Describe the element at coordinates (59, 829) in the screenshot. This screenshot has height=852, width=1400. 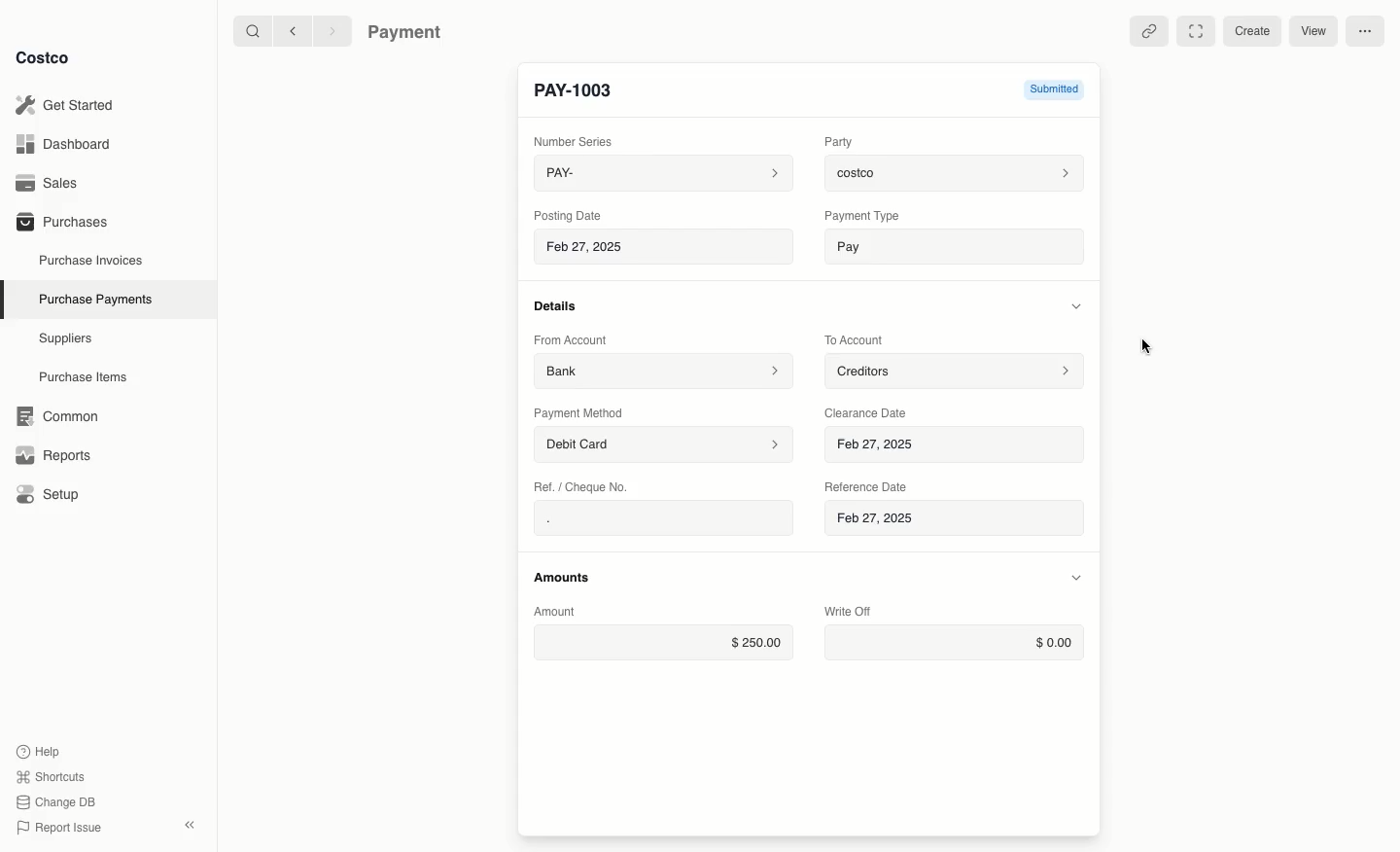
I see `Report Issue` at that location.